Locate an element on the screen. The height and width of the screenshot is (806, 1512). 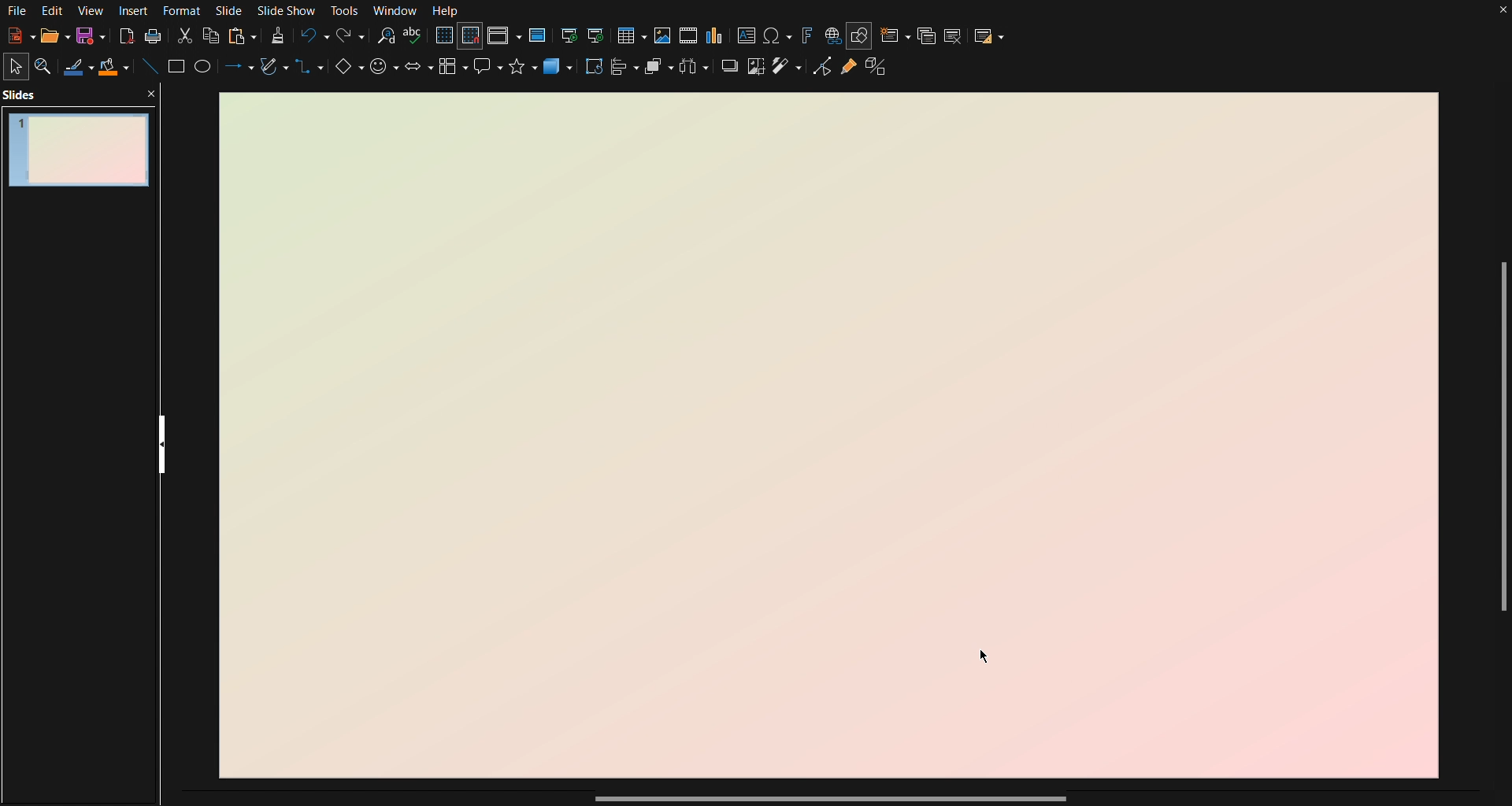
Circle is located at coordinates (206, 70).